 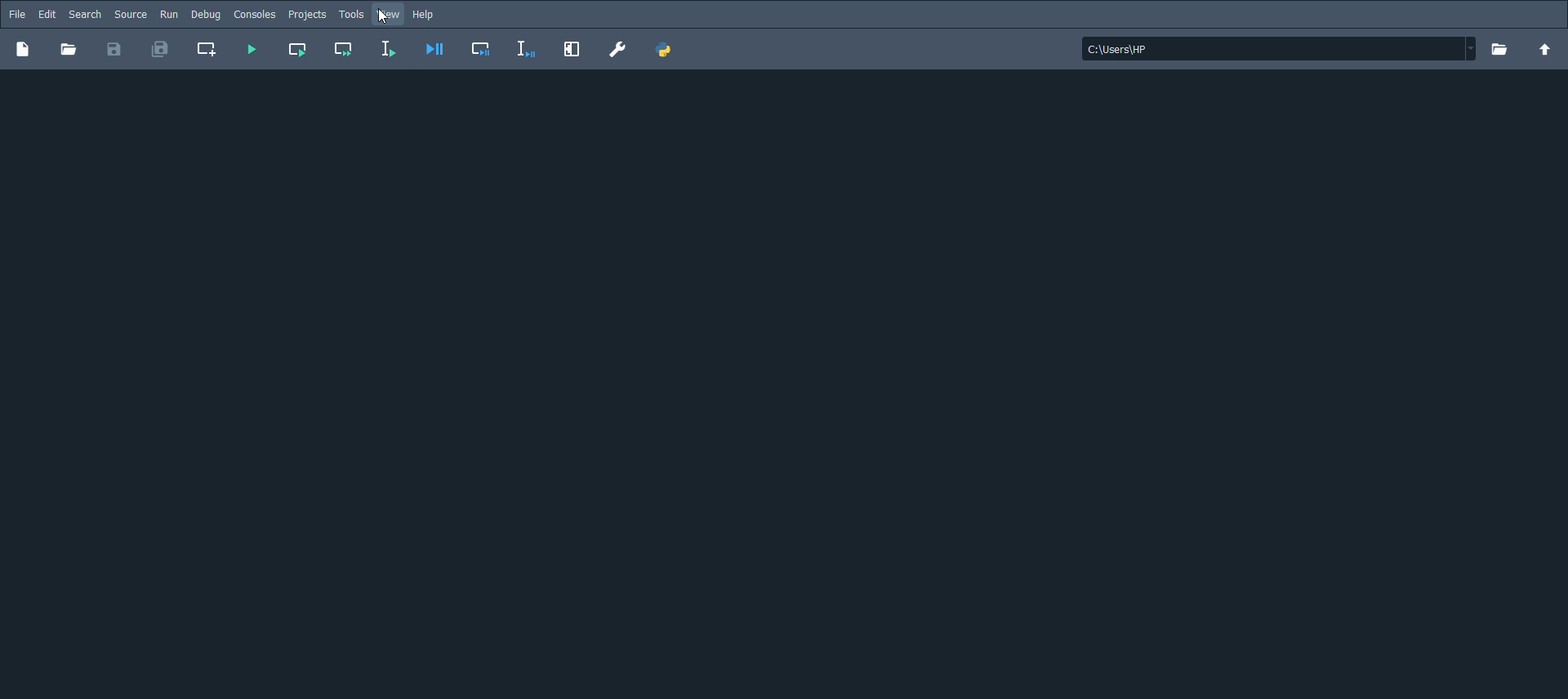 I want to click on Run current cell and go to the next one, so click(x=342, y=48).